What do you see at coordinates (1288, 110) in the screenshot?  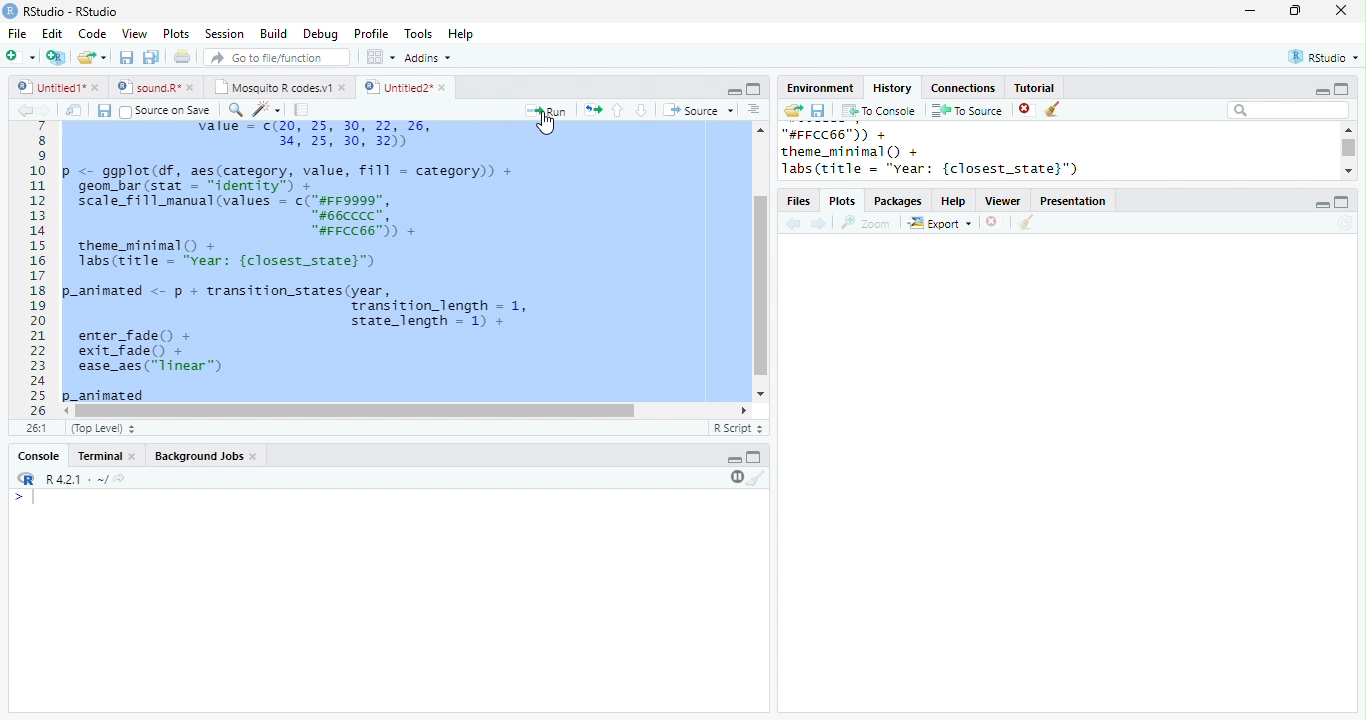 I see `search bar` at bounding box center [1288, 110].